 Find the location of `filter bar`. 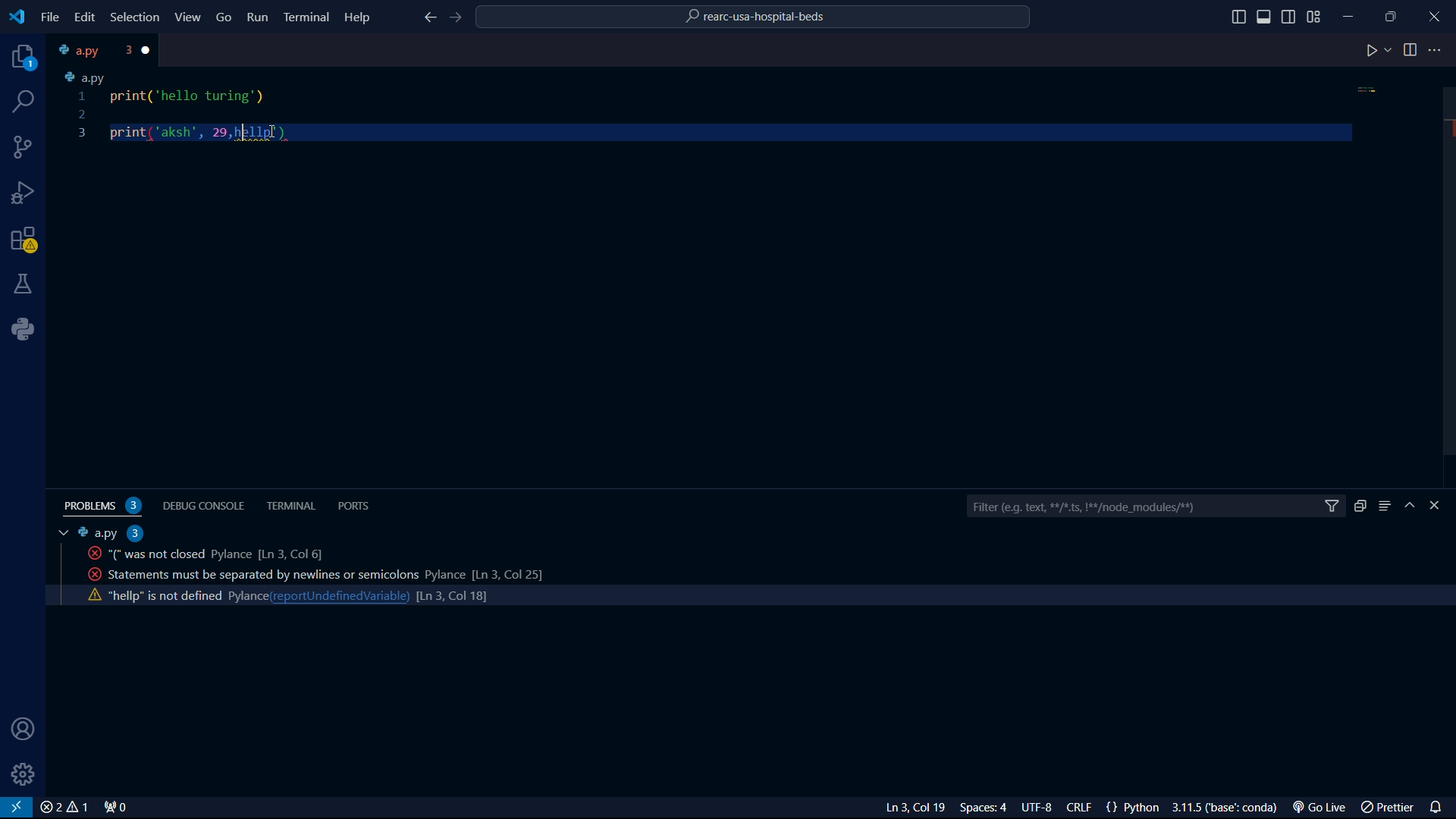

filter bar is located at coordinates (1155, 507).